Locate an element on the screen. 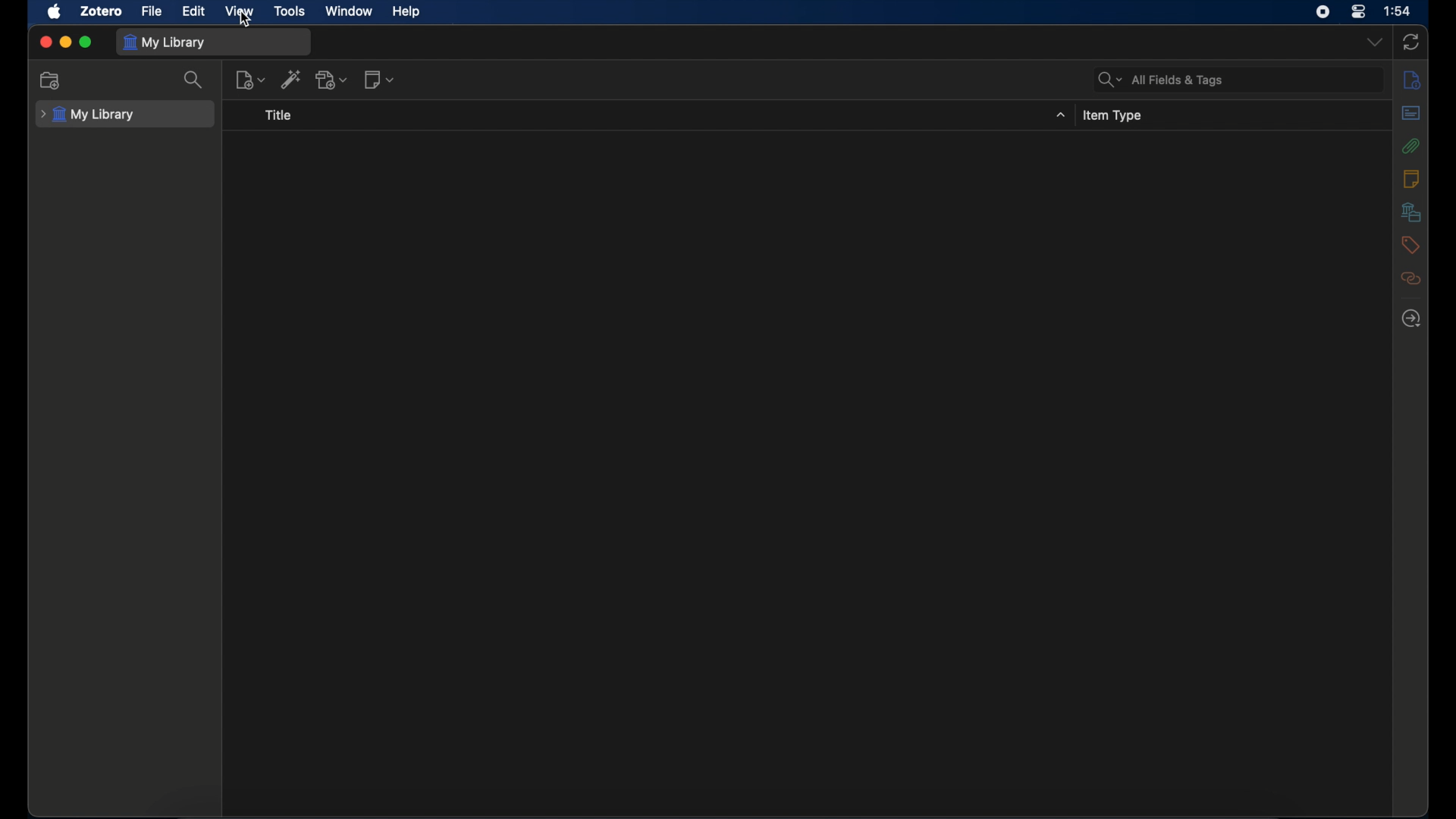  item type is located at coordinates (1115, 115).